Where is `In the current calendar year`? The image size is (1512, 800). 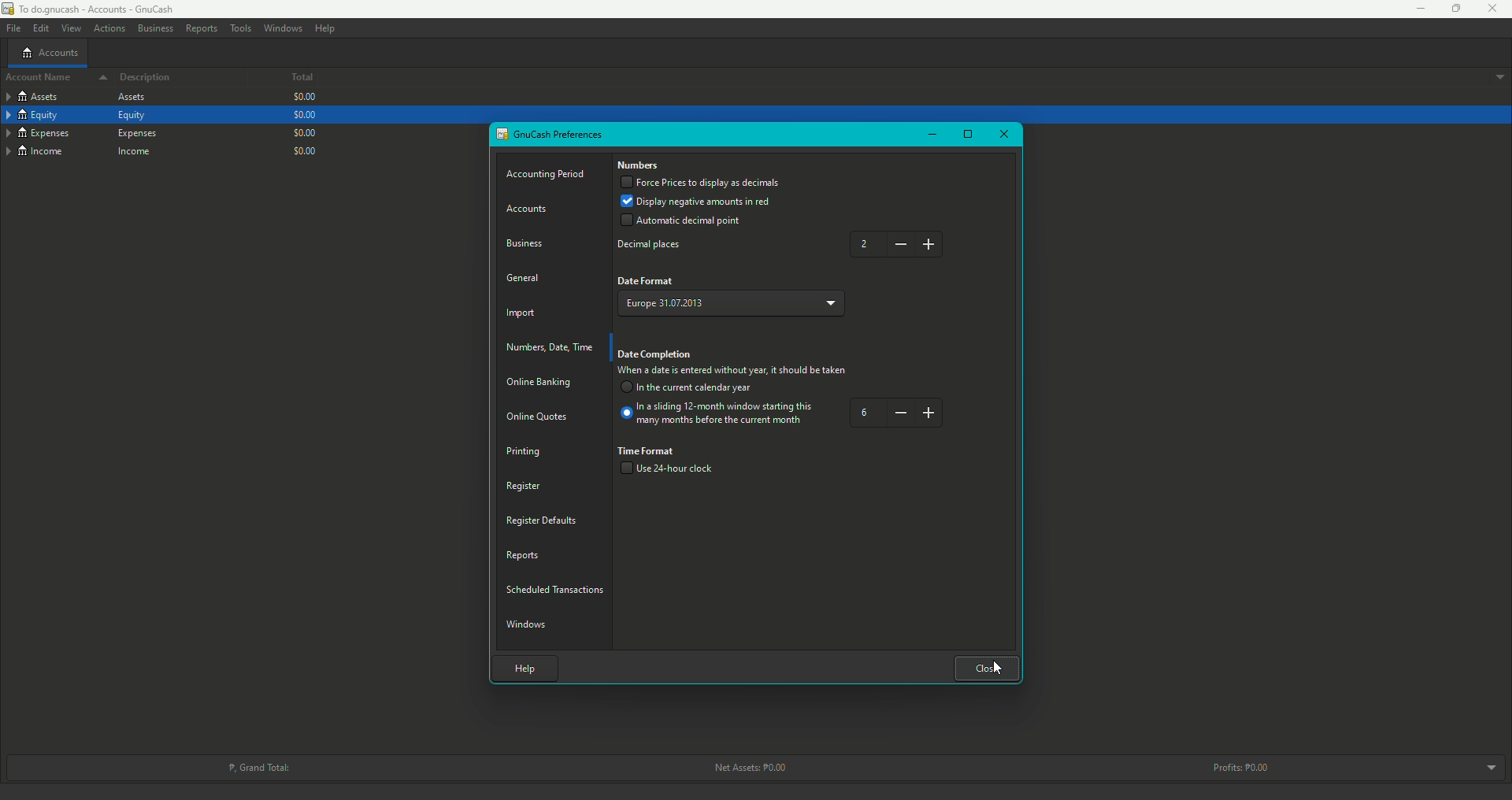 In the current calendar year is located at coordinates (689, 389).